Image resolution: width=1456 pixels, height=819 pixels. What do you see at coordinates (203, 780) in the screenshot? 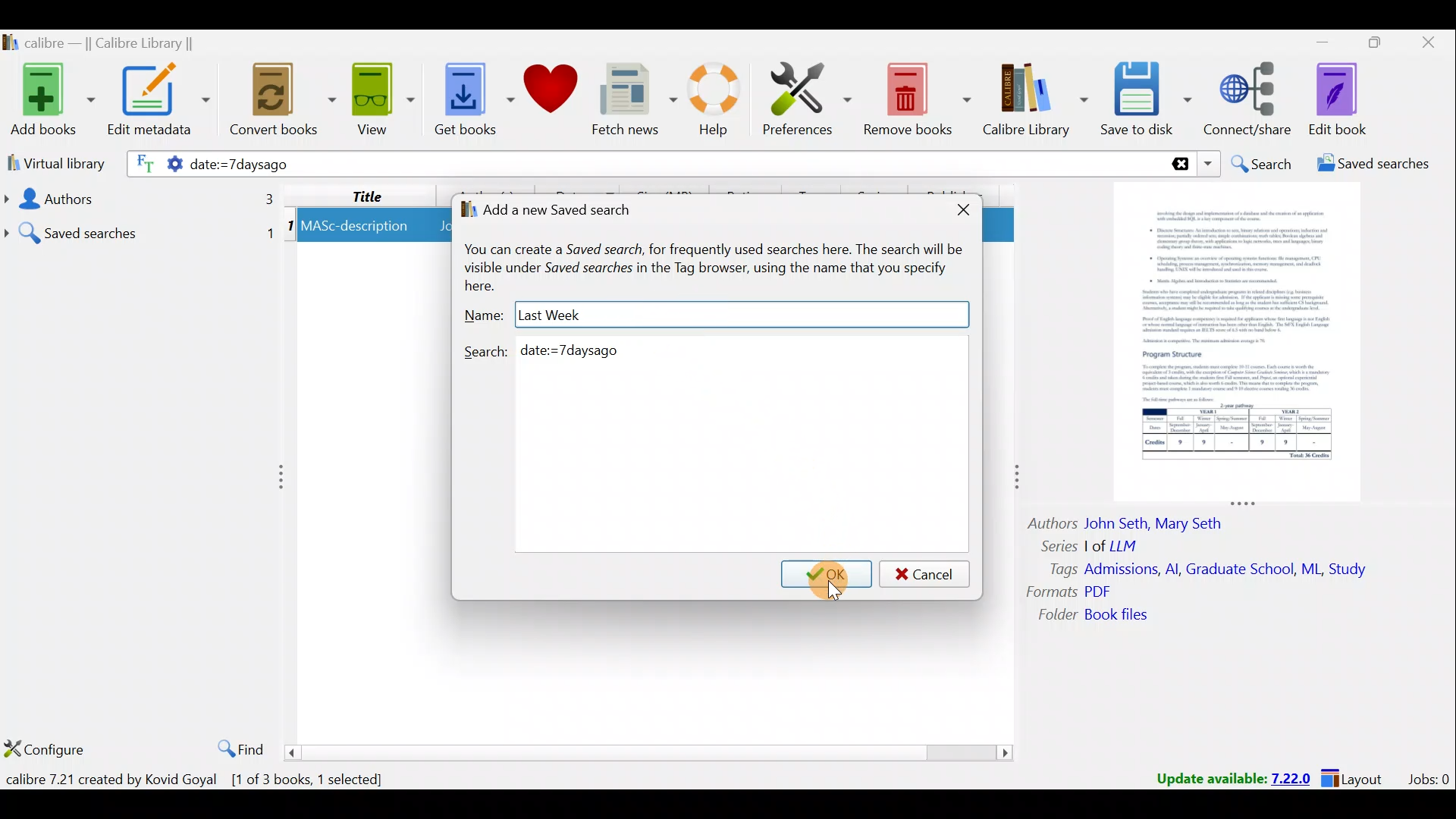
I see `calibre 7.21 created by Kovid Goyal [1 of 3 books, 1 selected]` at bounding box center [203, 780].